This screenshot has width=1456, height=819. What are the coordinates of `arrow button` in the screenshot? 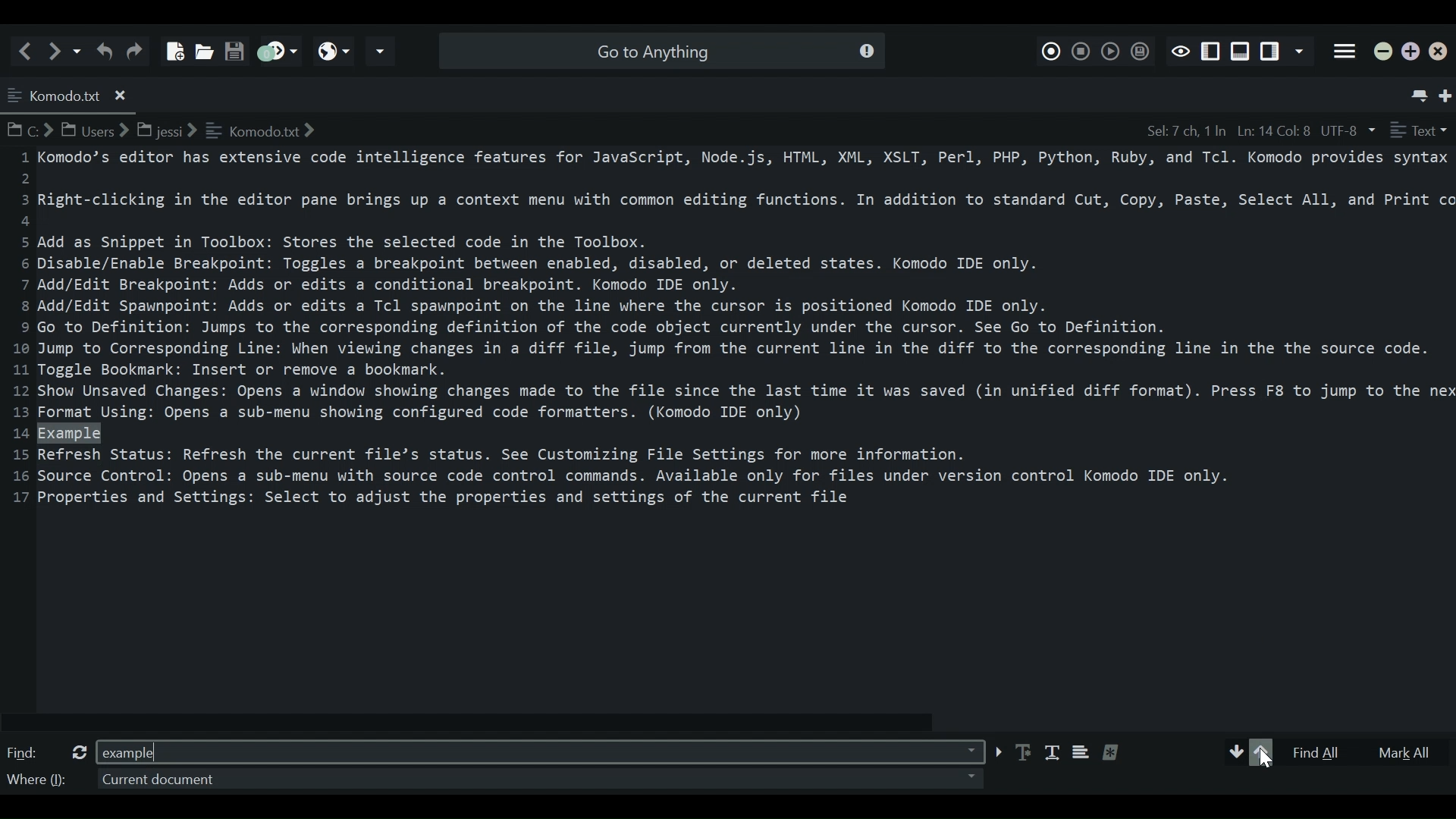 It's located at (996, 752).